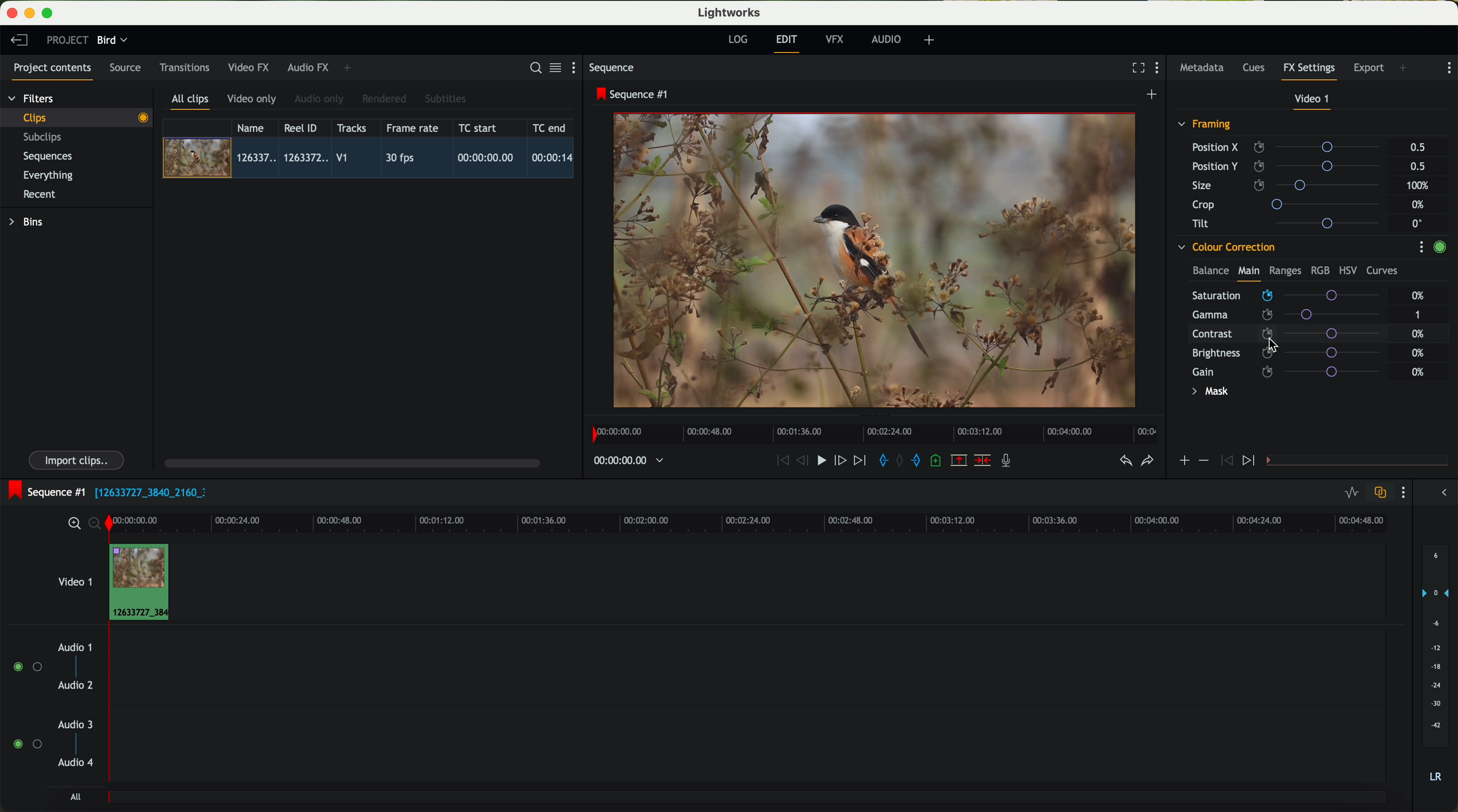 The image size is (1458, 812). I want to click on rewind, so click(782, 461).